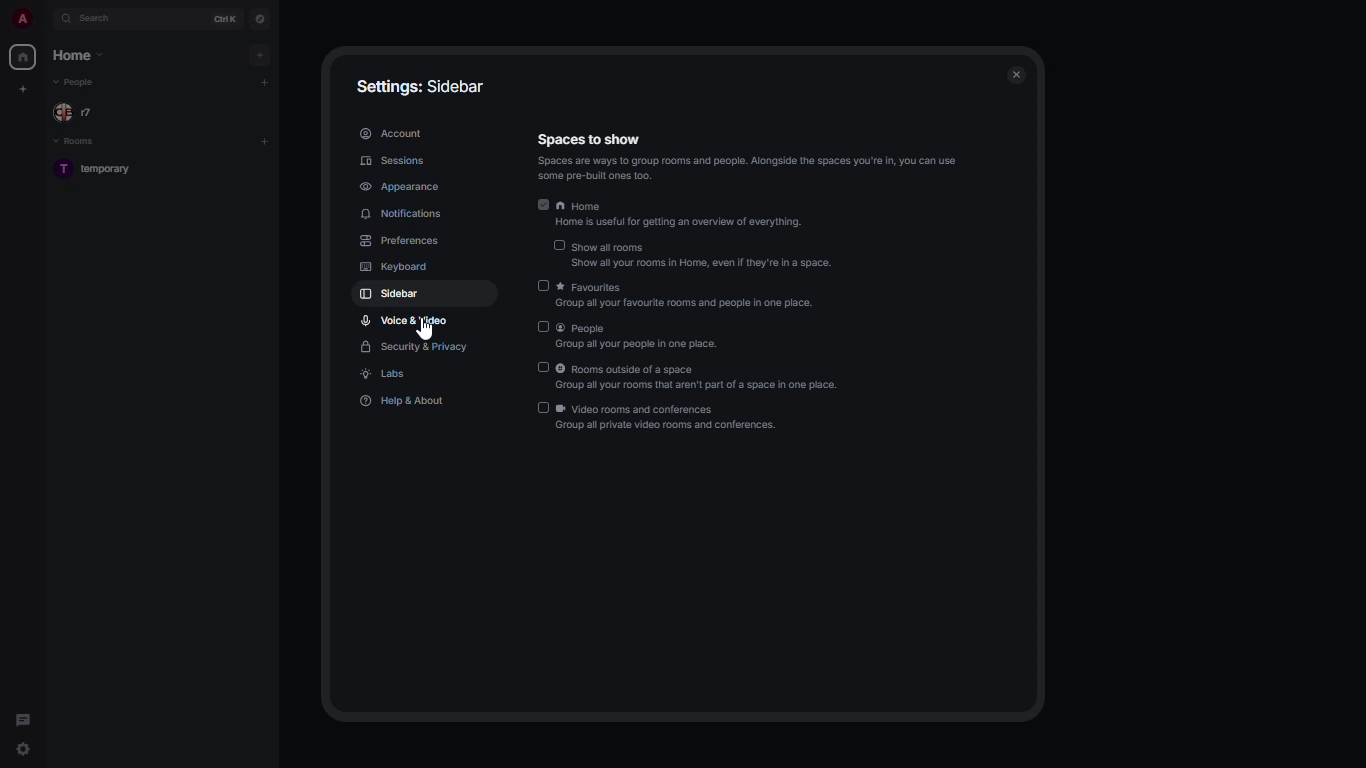 The height and width of the screenshot is (768, 1366). I want to click on cursor, so click(427, 331).